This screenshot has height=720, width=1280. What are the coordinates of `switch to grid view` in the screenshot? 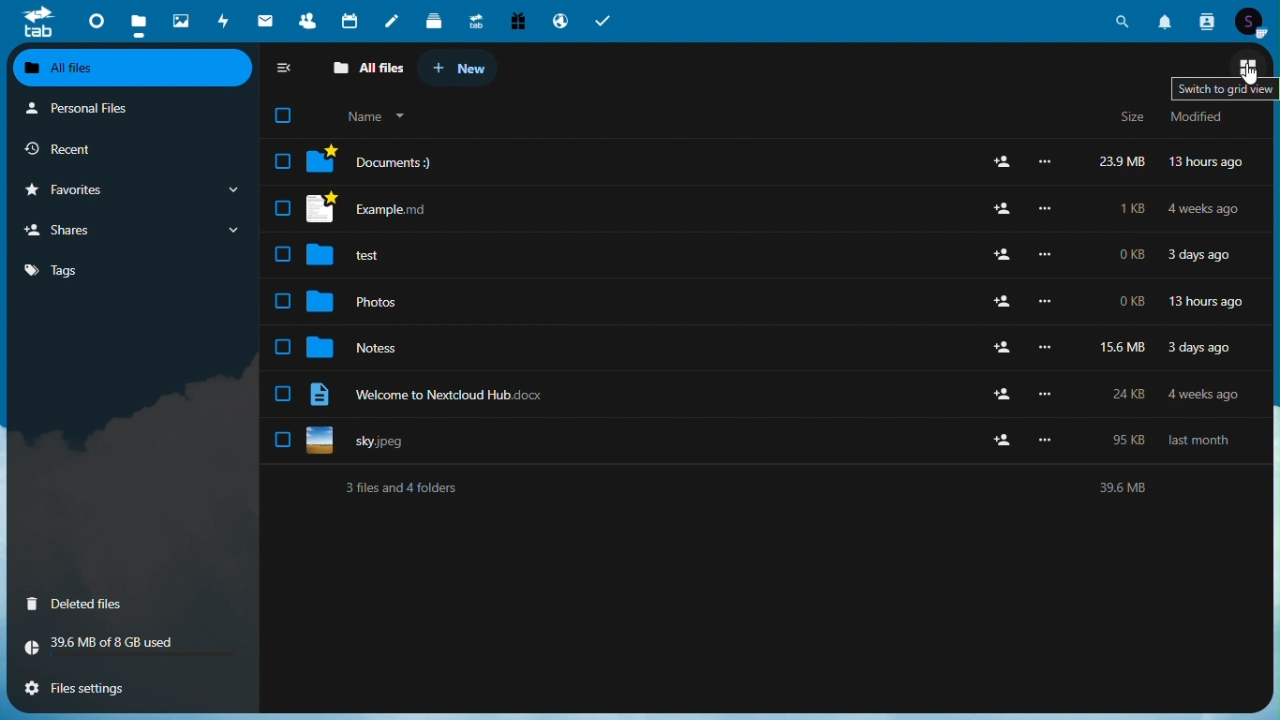 It's located at (1251, 69).